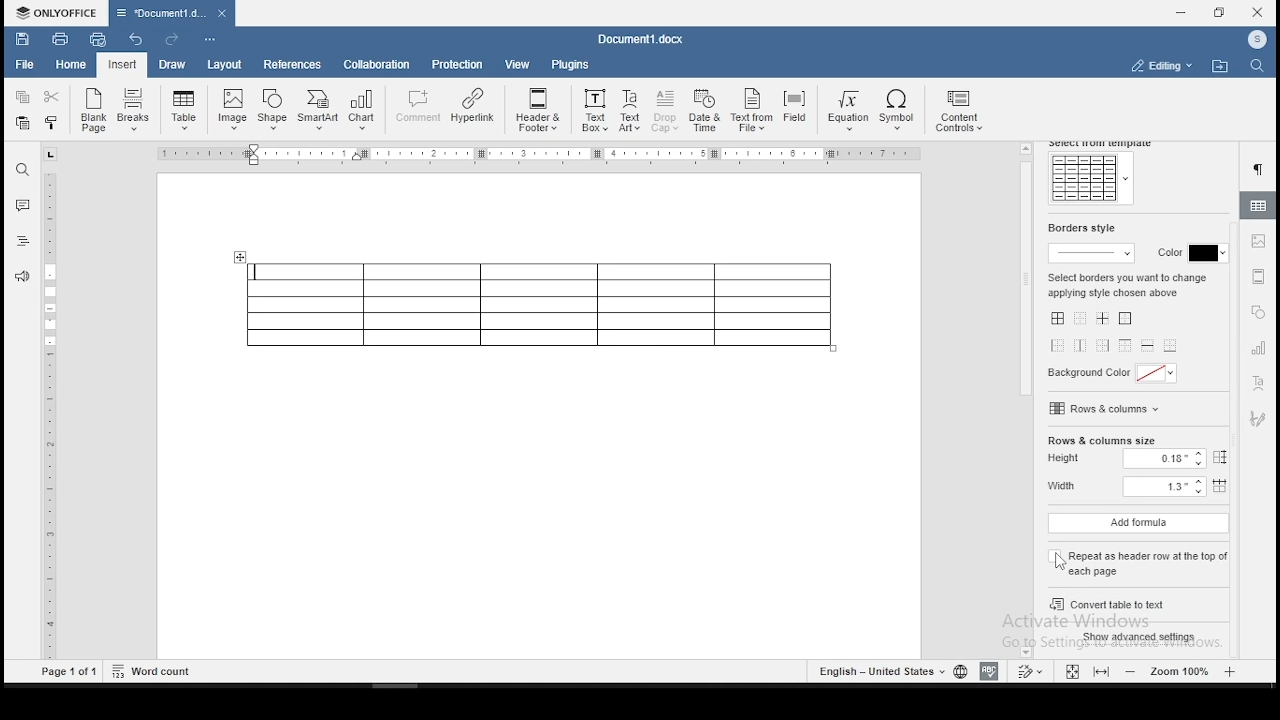 Image resolution: width=1280 pixels, height=720 pixels. What do you see at coordinates (1220, 66) in the screenshot?
I see `open file location` at bounding box center [1220, 66].